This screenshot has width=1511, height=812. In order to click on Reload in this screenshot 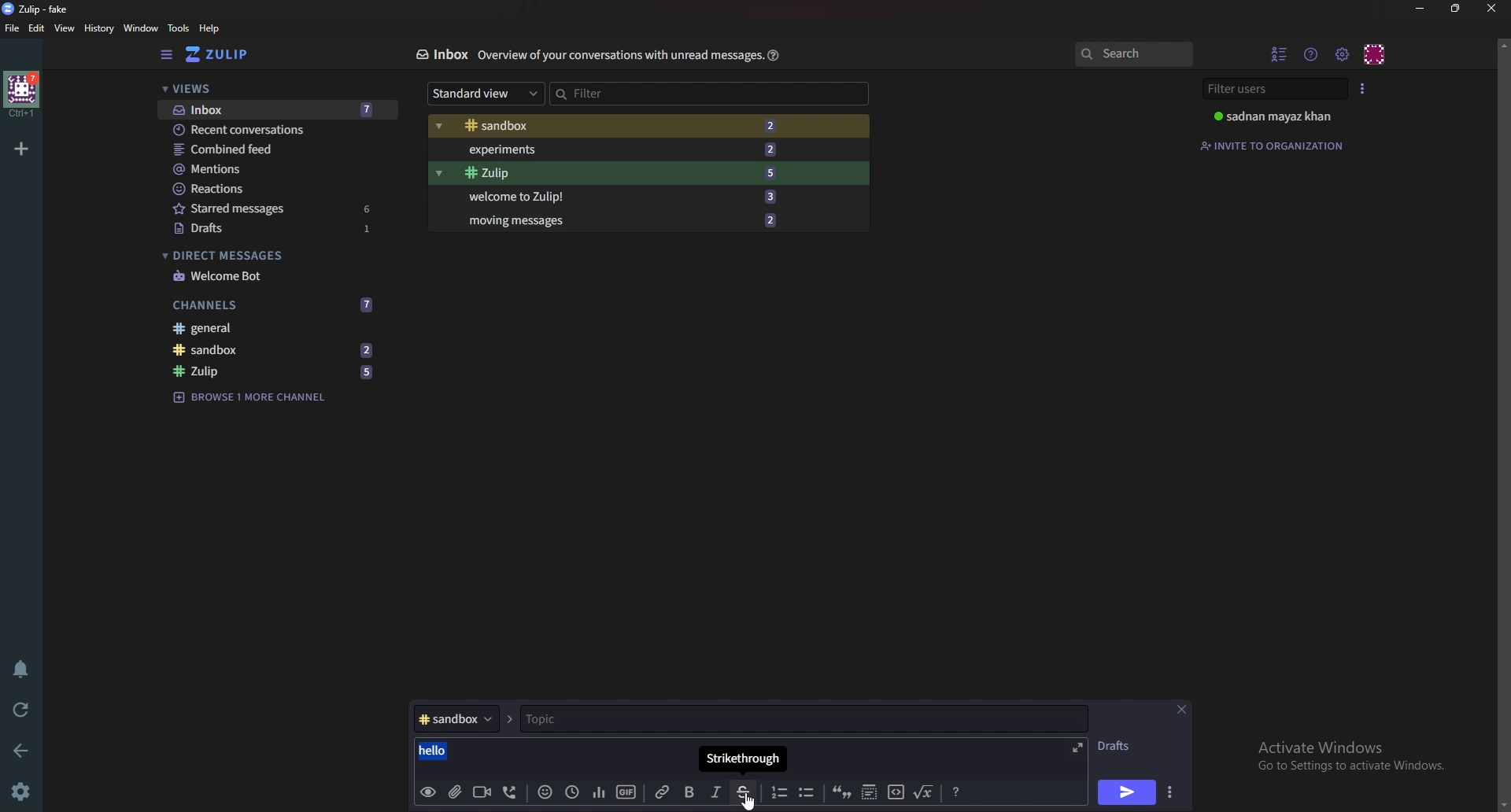, I will do `click(20, 707)`.